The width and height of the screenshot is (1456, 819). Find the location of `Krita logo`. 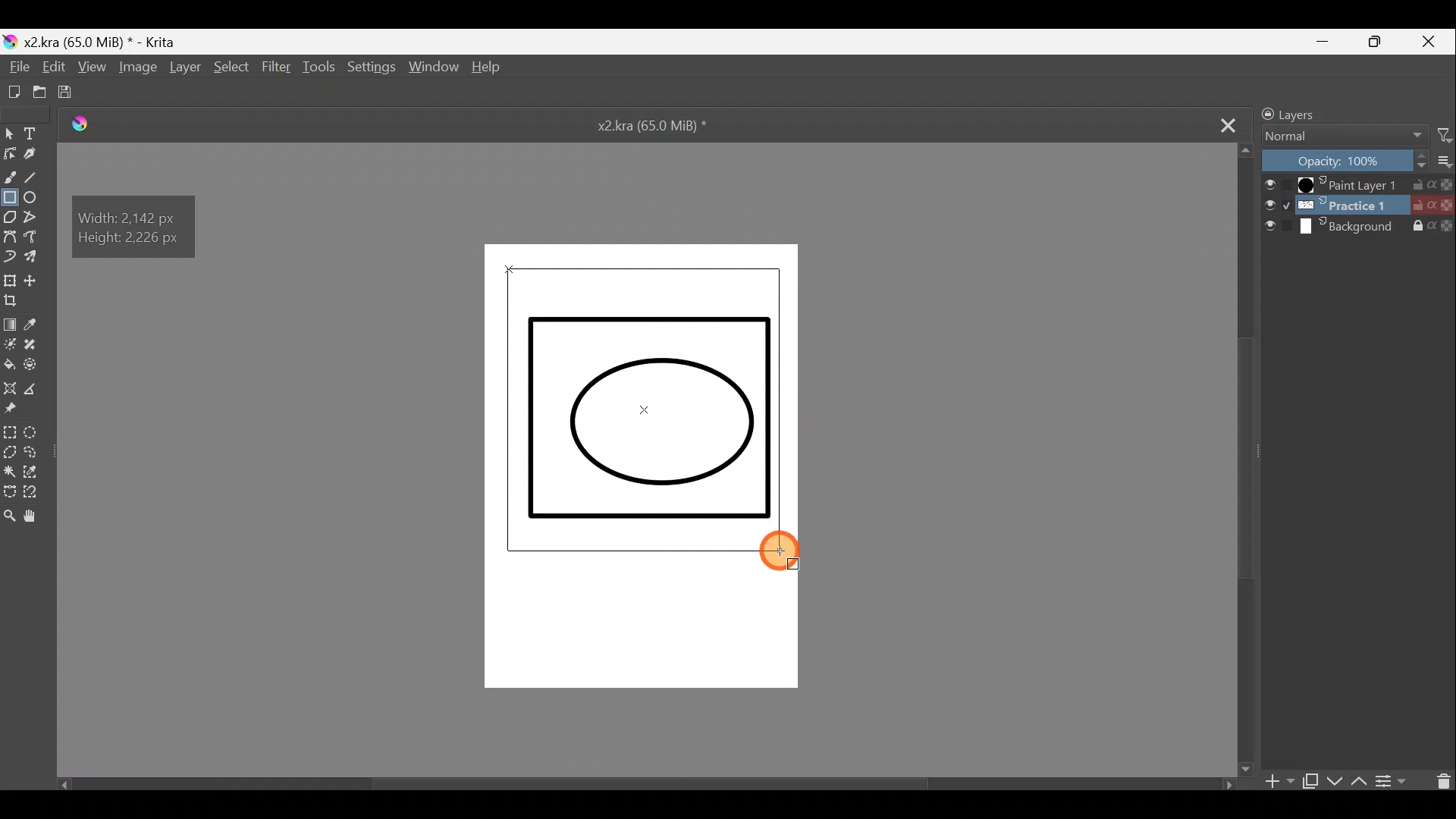

Krita logo is located at coordinates (9, 41).